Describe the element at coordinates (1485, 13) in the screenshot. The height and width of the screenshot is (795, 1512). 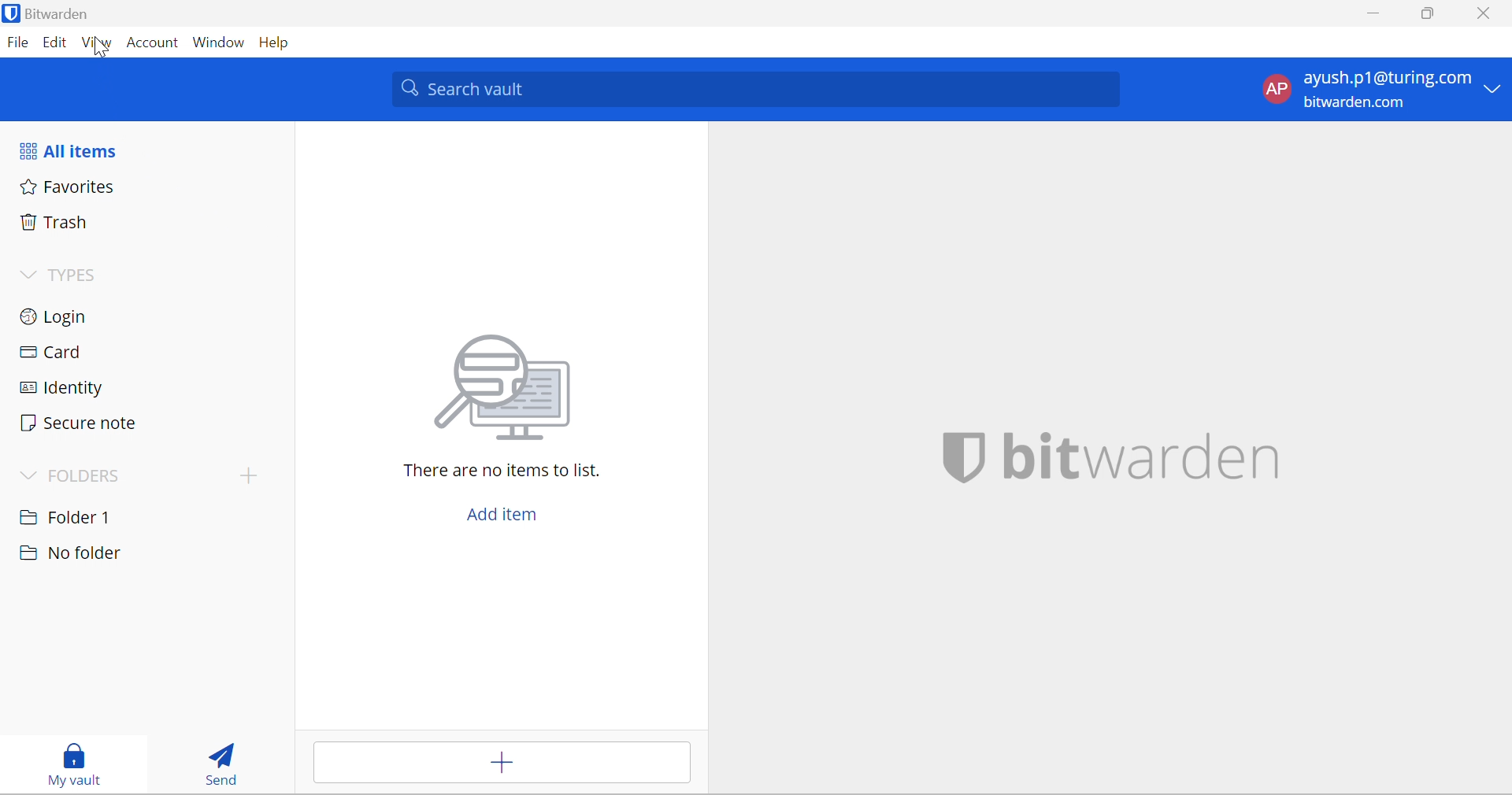
I see `close` at that location.